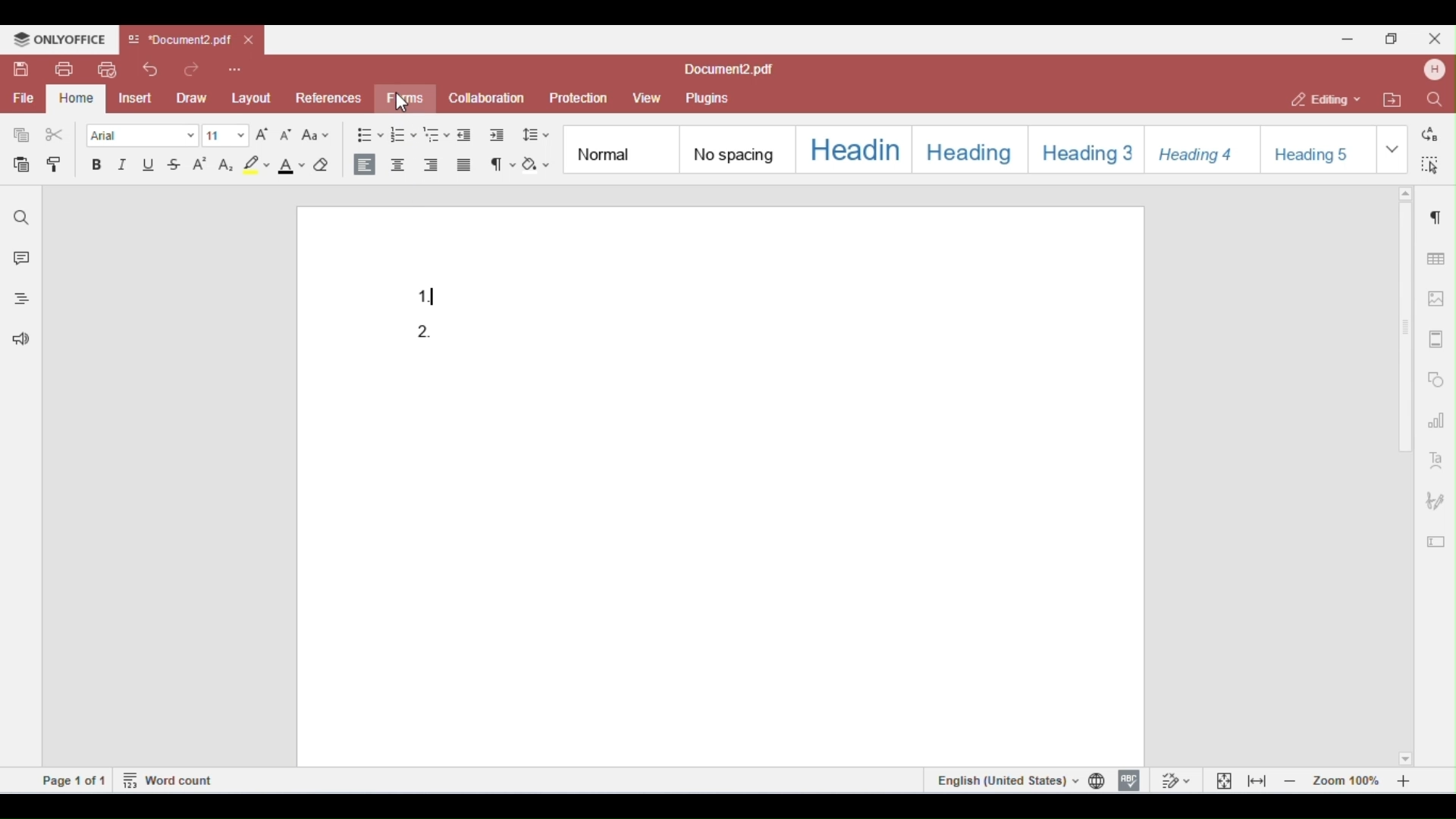  Describe the element at coordinates (1407, 338) in the screenshot. I see `vertical scroll bar` at that location.